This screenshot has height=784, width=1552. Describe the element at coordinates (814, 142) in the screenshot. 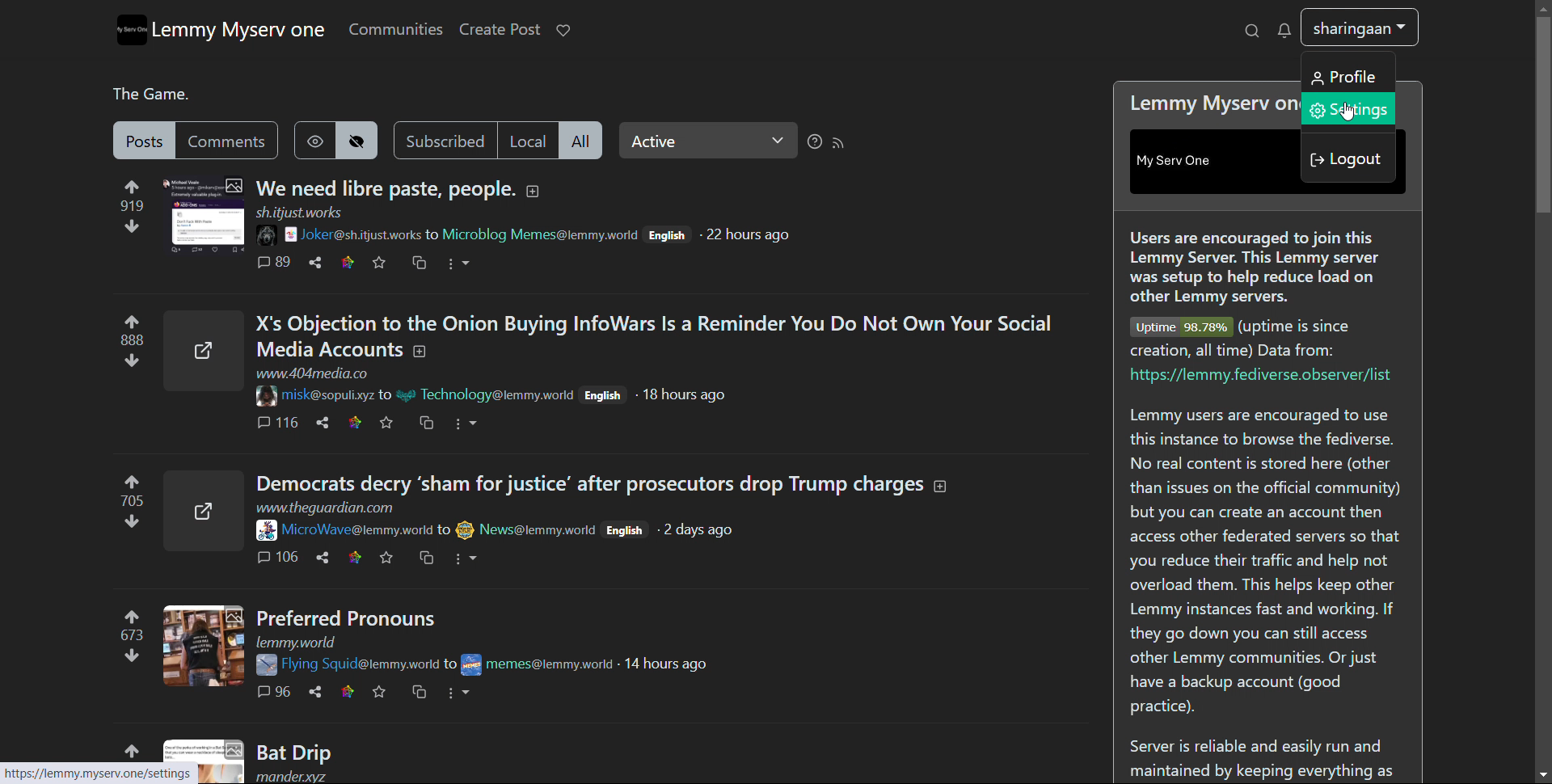

I see `sorting help` at that location.